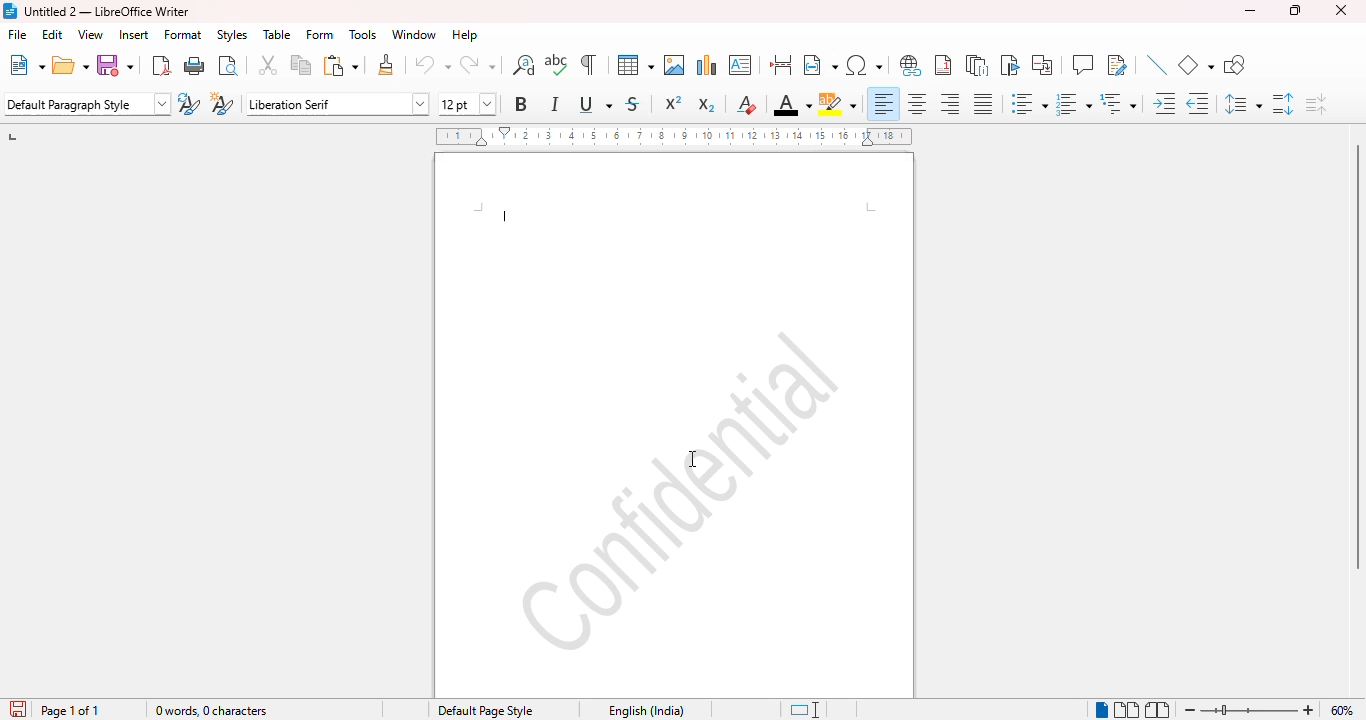 The width and height of the screenshot is (1366, 720). Describe the element at coordinates (679, 489) in the screenshot. I see `custom watermark with text "Confidential" added` at that location.